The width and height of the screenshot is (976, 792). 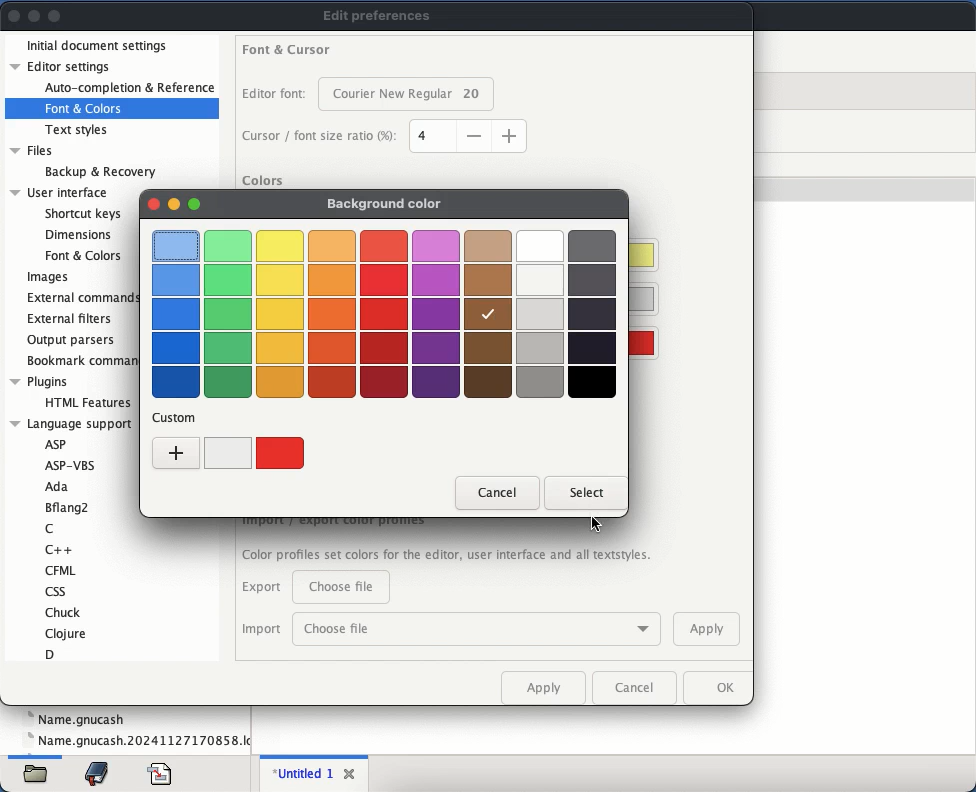 What do you see at coordinates (15, 15) in the screenshot?
I see `close` at bounding box center [15, 15].